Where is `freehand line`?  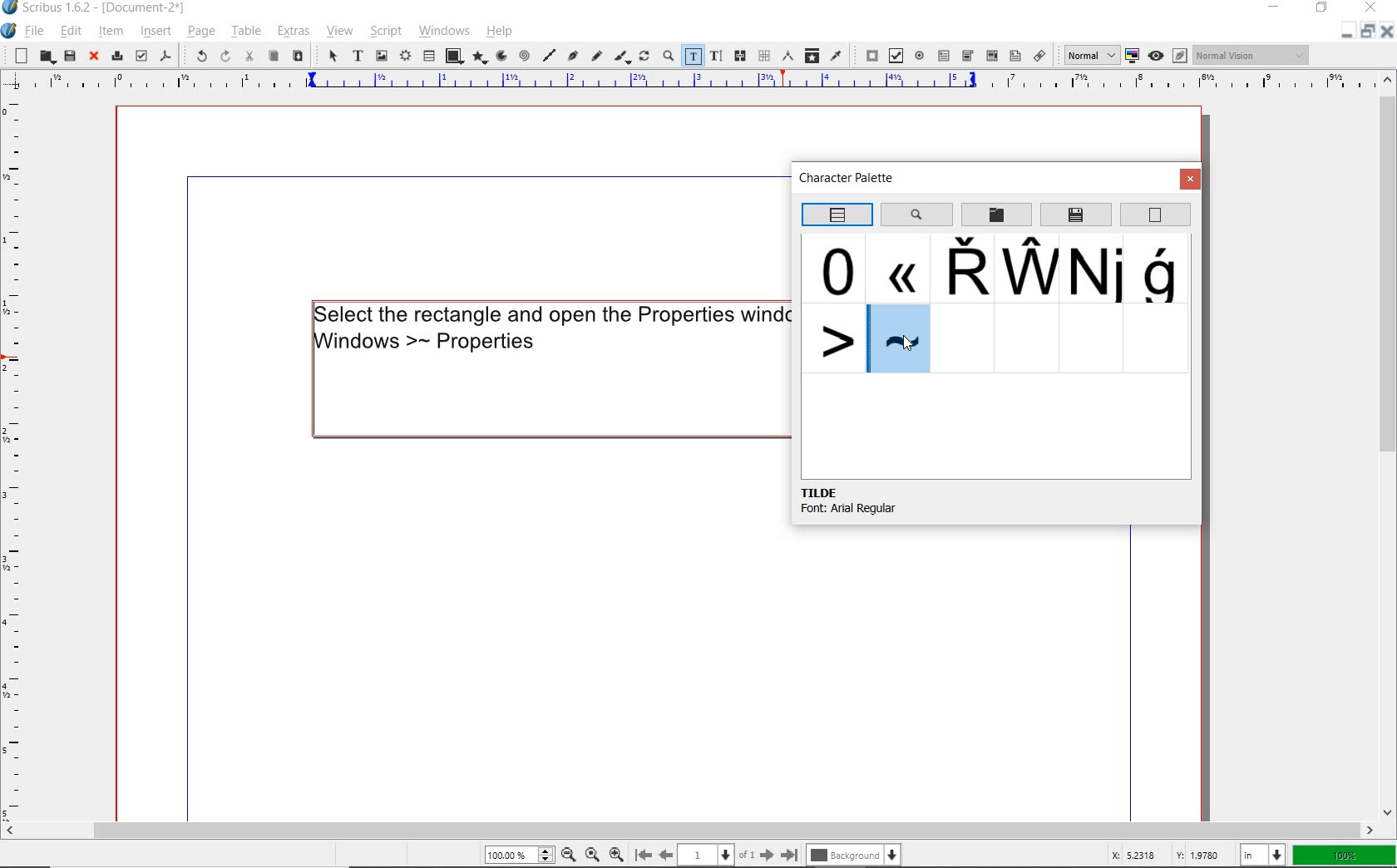
freehand line is located at coordinates (597, 57).